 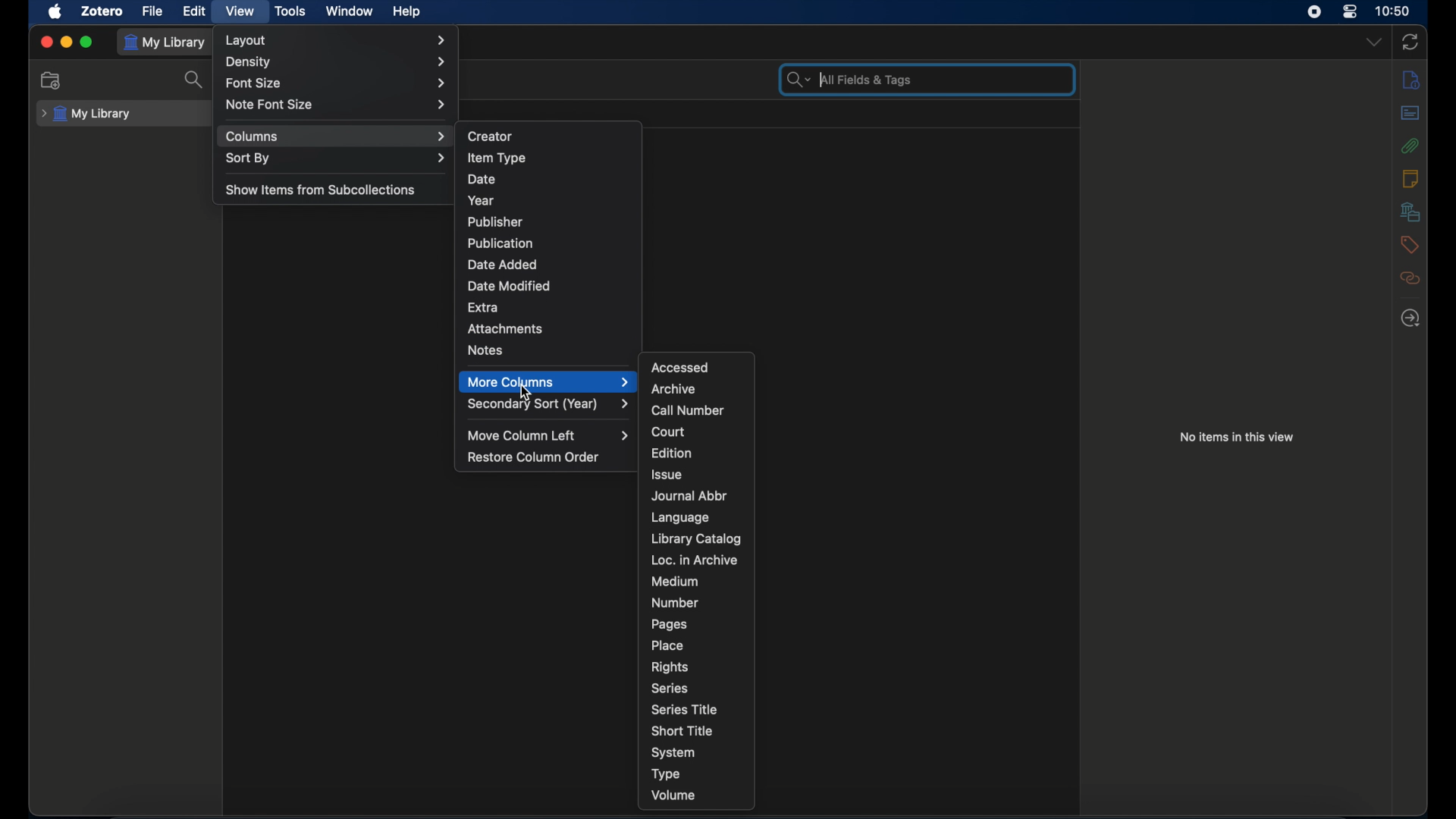 What do you see at coordinates (497, 158) in the screenshot?
I see `item type` at bounding box center [497, 158].